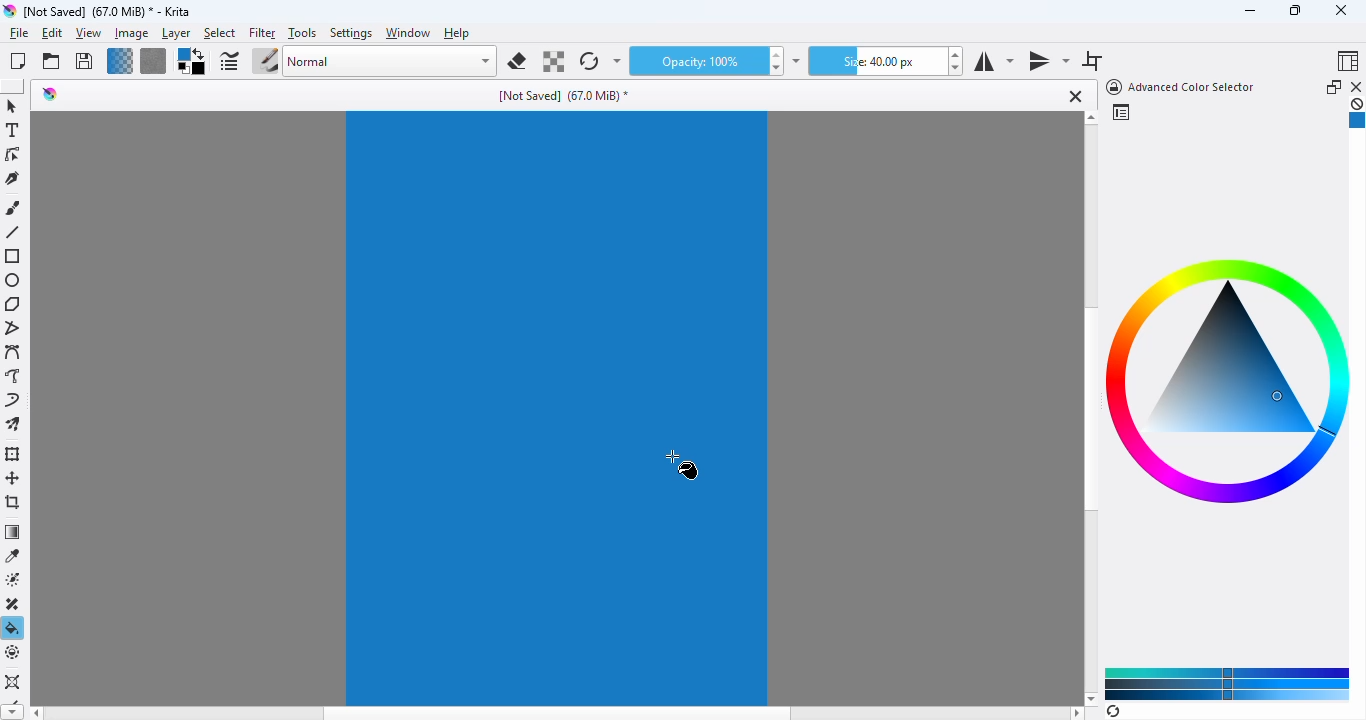 Image resolution: width=1366 pixels, height=720 pixels. Describe the element at coordinates (993, 62) in the screenshot. I see `horizontal mirror tool` at that location.